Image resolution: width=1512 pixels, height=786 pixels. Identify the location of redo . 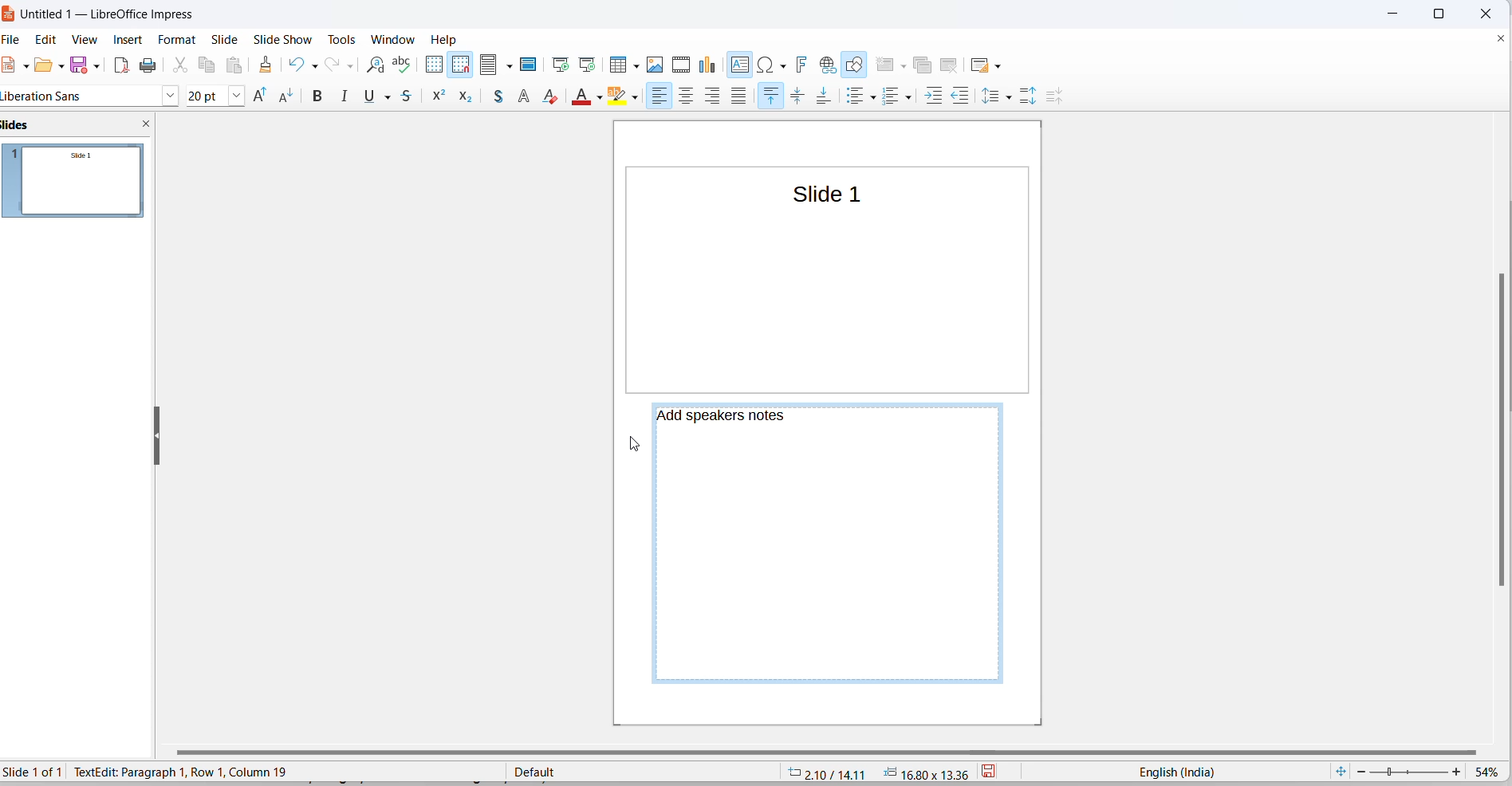
(333, 65).